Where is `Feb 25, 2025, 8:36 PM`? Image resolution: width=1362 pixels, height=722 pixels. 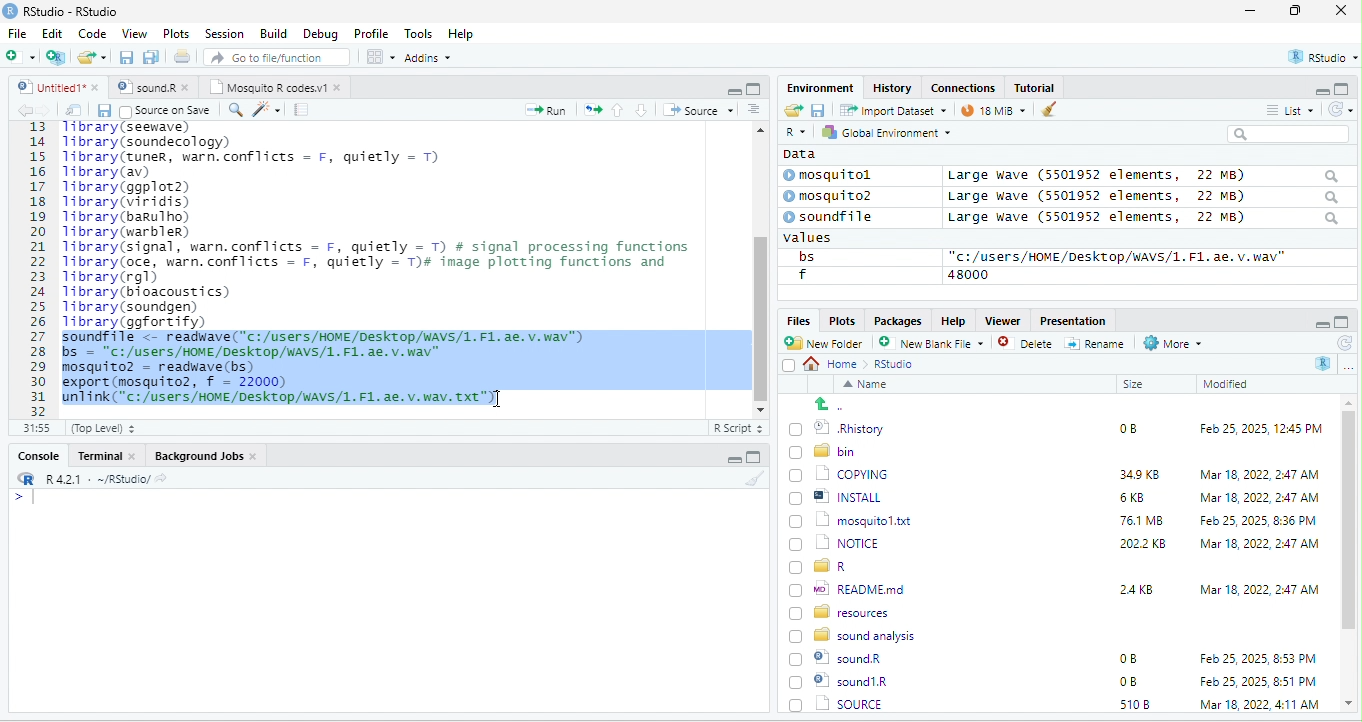
Feb 25, 2025, 8:36 PM is located at coordinates (1254, 520).